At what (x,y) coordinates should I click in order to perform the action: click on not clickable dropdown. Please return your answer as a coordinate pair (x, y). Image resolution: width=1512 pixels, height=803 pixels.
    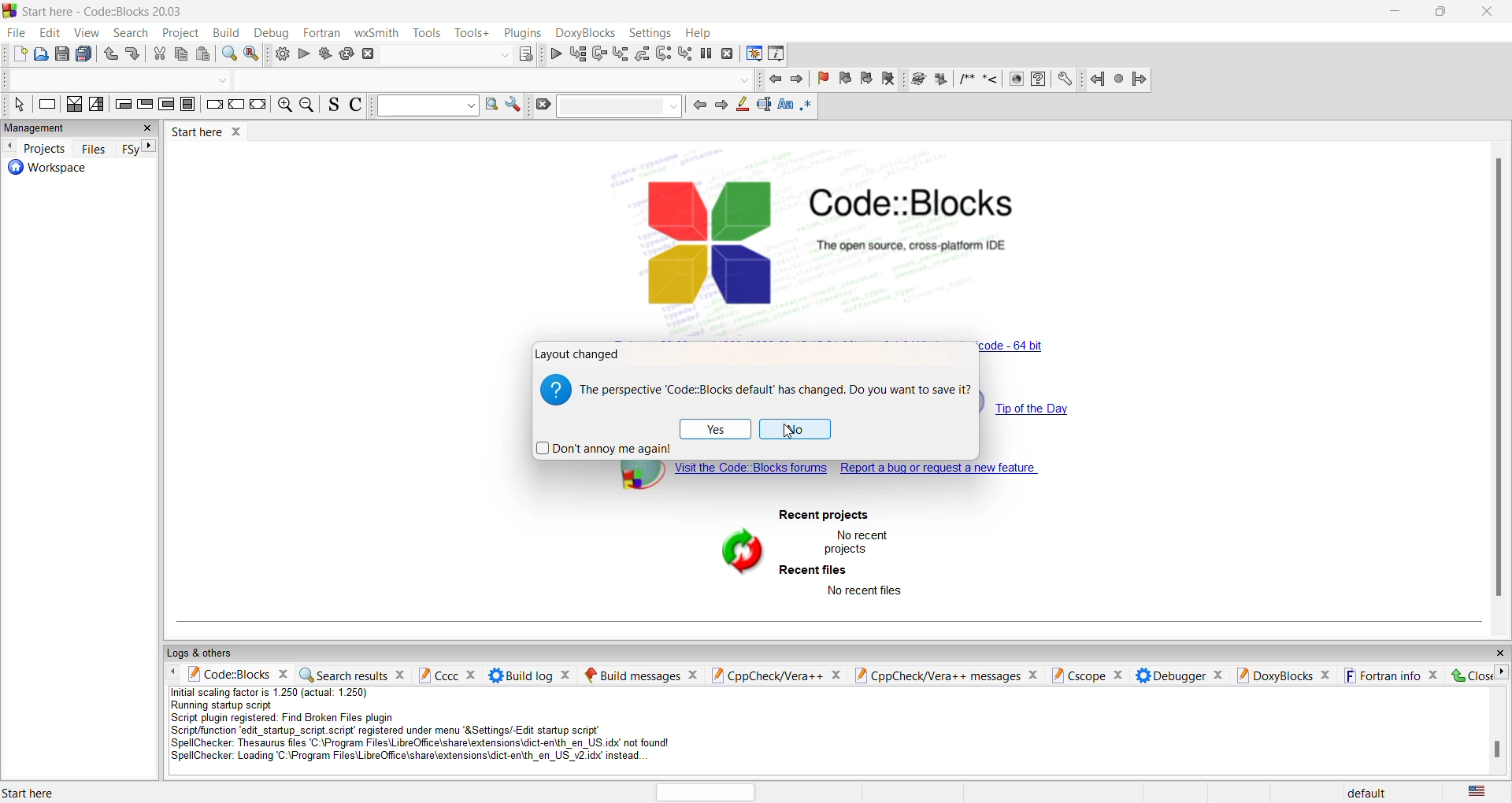
    Looking at the image, I should click on (743, 80).